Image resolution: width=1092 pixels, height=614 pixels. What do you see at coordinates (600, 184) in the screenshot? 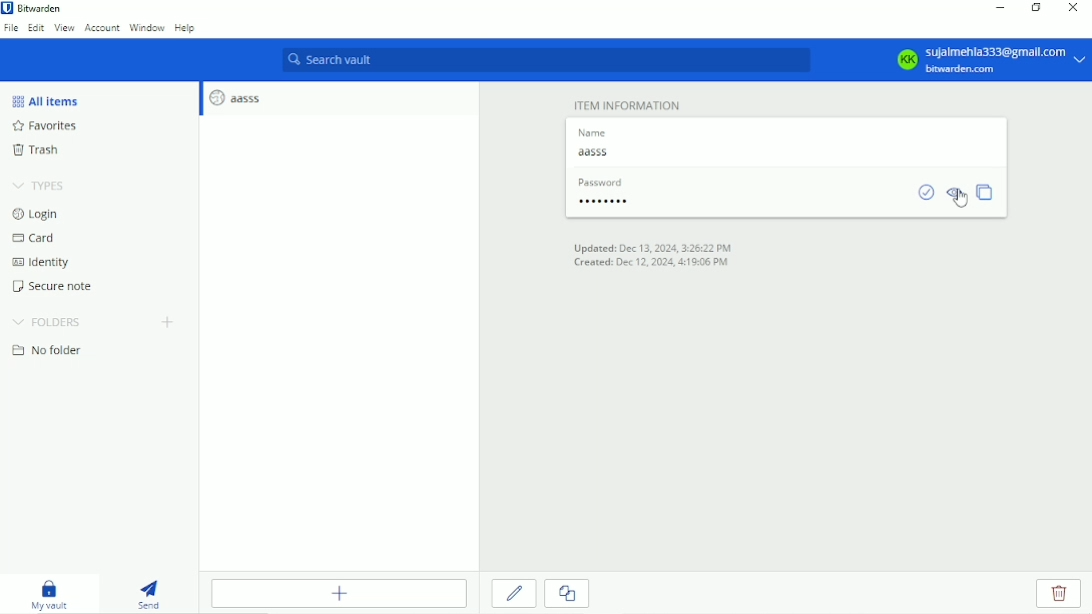
I see `password label` at bounding box center [600, 184].